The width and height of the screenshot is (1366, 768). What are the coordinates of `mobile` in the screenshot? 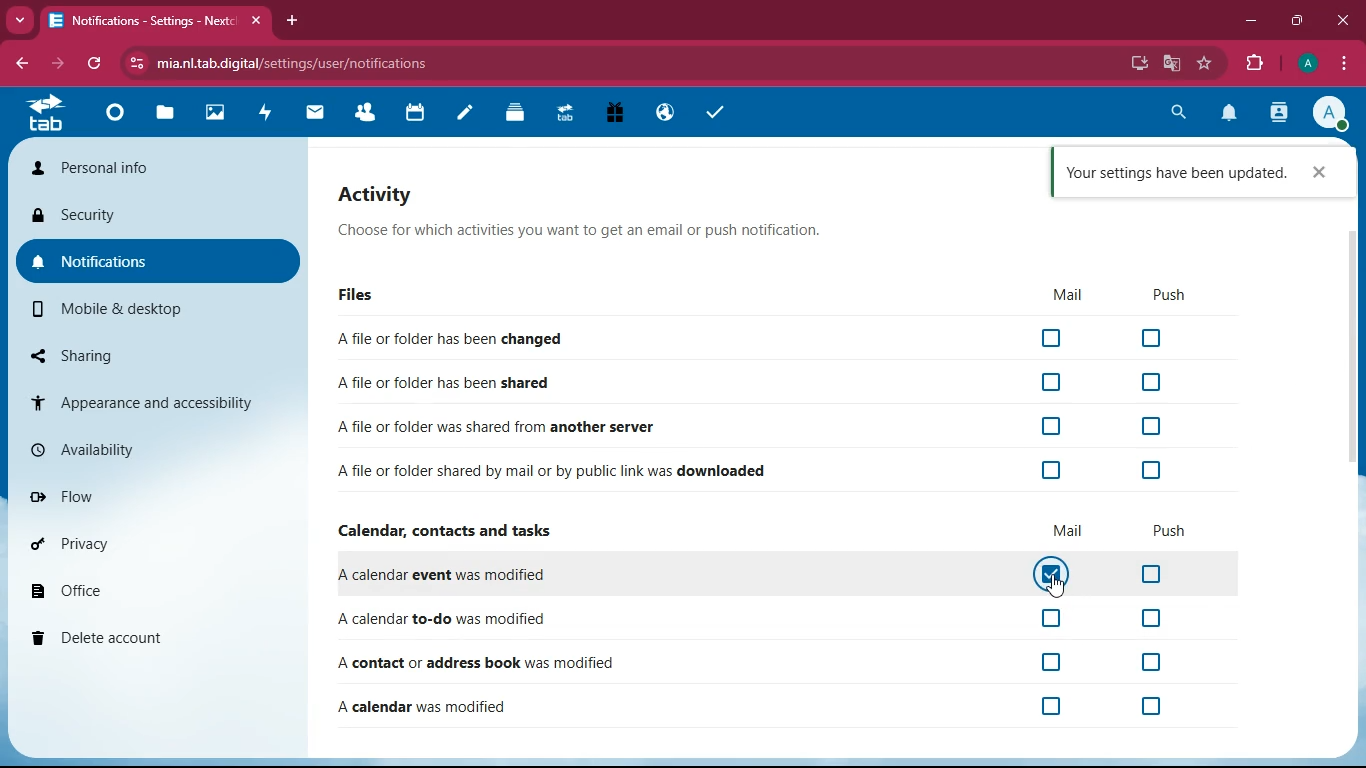 It's located at (157, 312).